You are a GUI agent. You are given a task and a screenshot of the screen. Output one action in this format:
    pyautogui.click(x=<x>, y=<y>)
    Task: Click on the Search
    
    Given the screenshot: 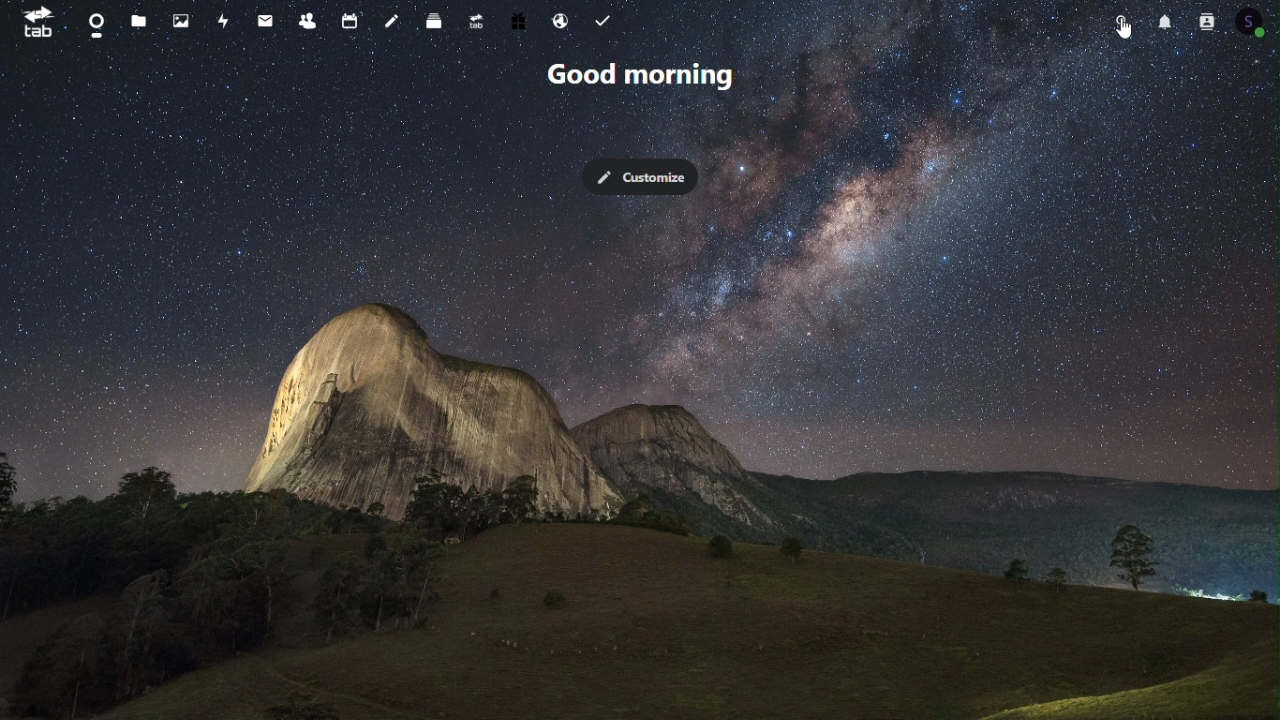 What is the action you would take?
    pyautogui.click(x=1123, y=22)
    